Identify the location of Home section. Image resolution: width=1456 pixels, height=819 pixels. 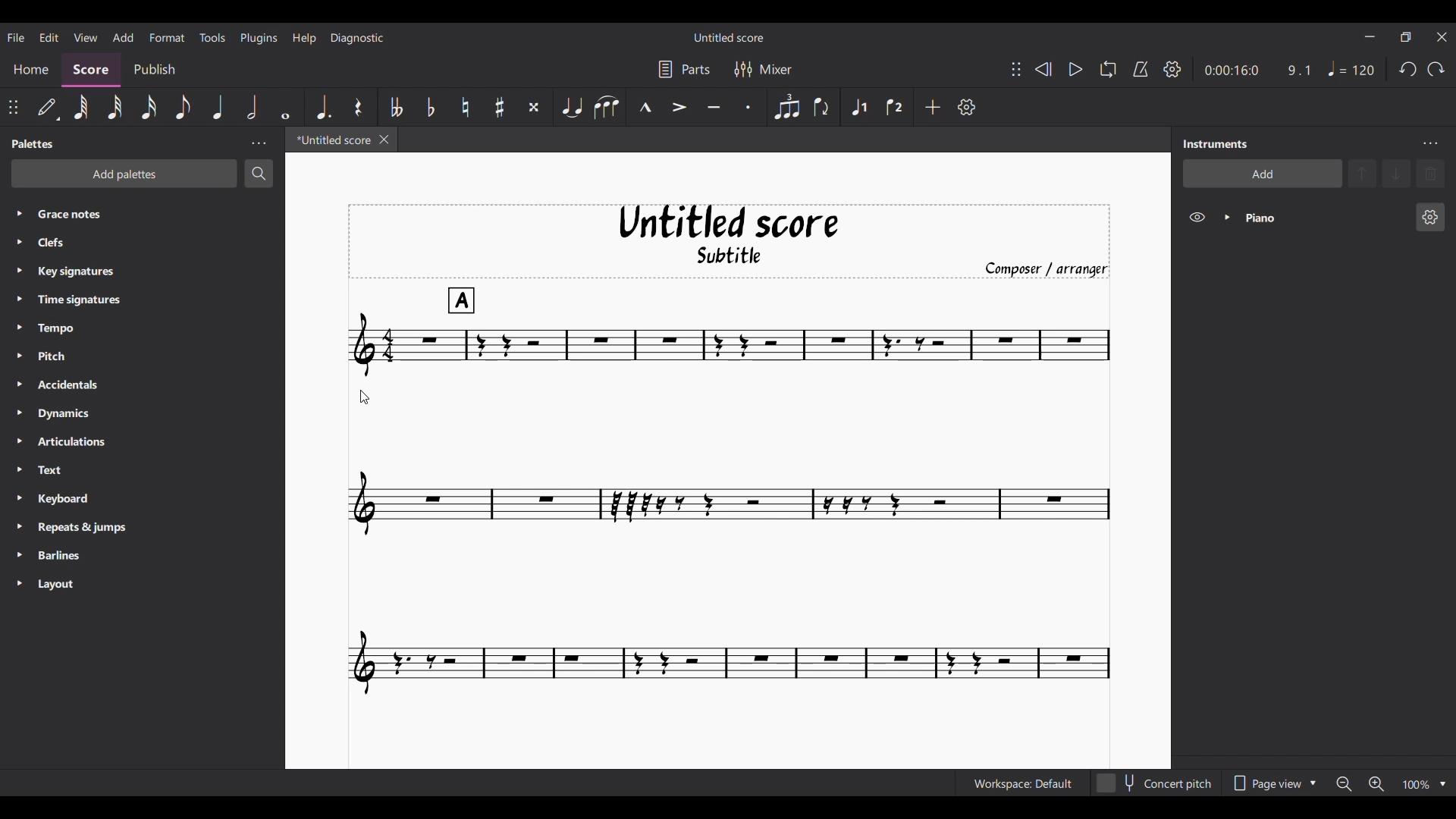
(32, 67).